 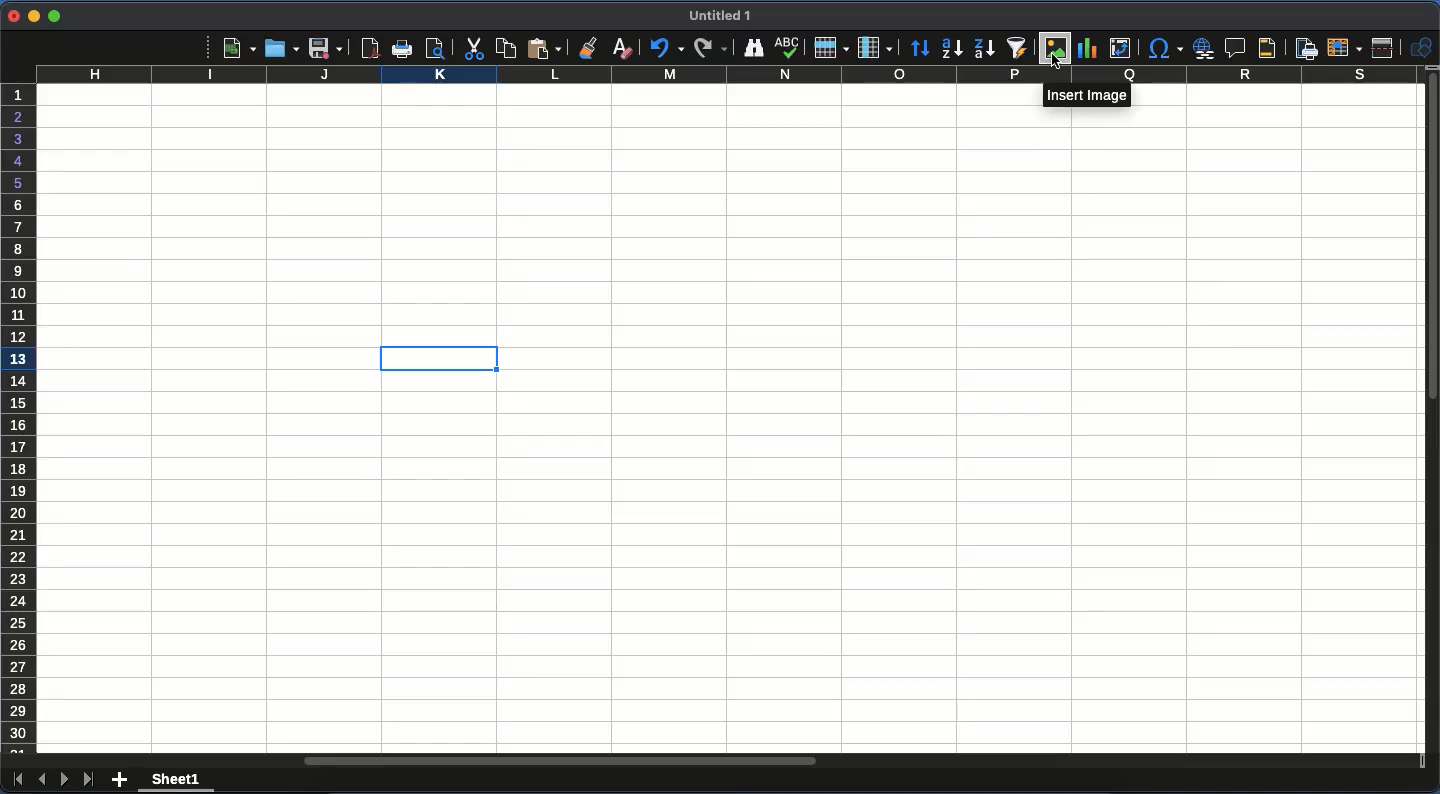 I want to click on close, so click(x=11, y=15).